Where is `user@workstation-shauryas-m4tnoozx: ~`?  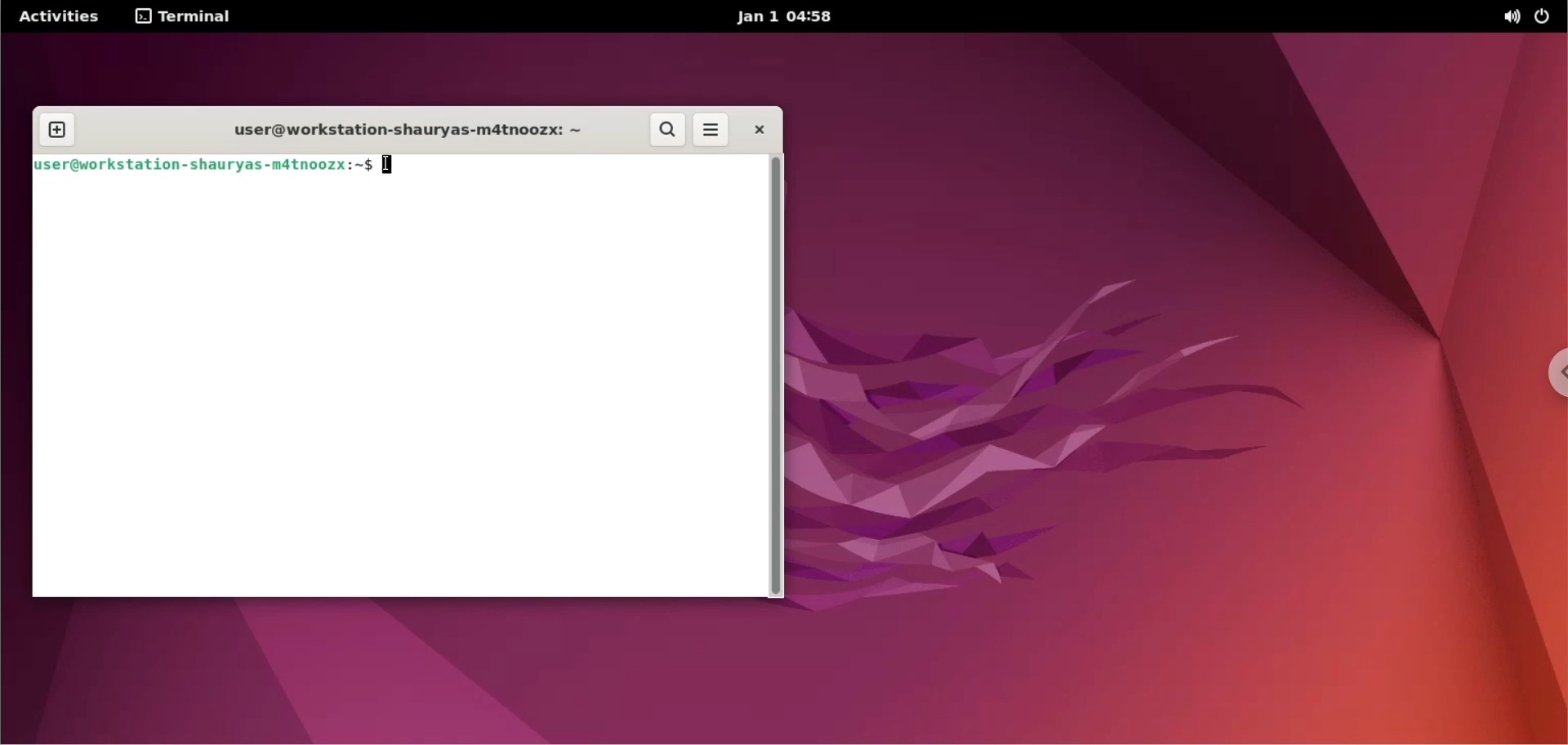 user@workstation-shauryas-m4tnoozx: ~ is located at coordinates (406, 131).